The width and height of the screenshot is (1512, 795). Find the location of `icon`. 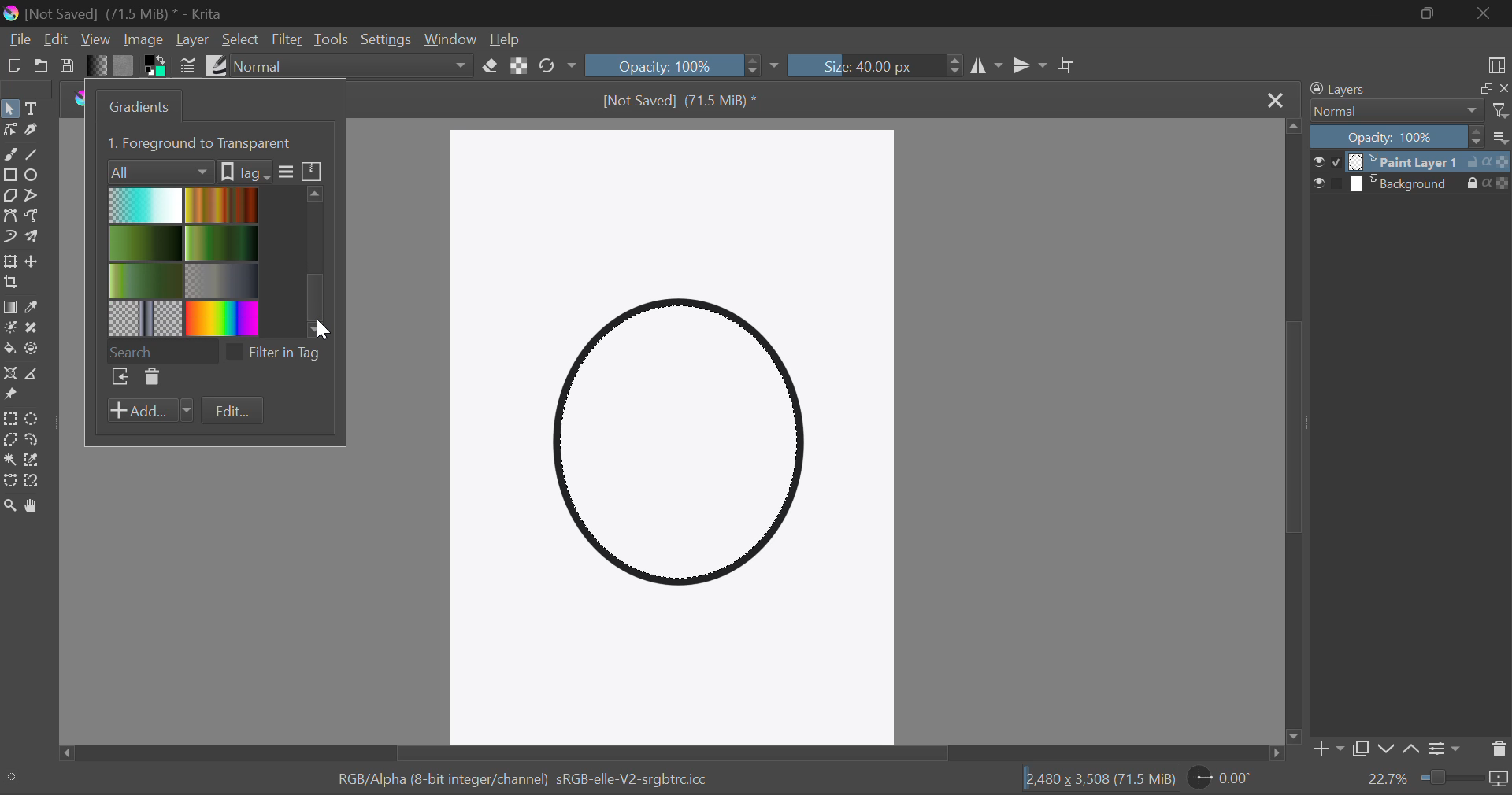

icon is located at coordinates (1501, 782).